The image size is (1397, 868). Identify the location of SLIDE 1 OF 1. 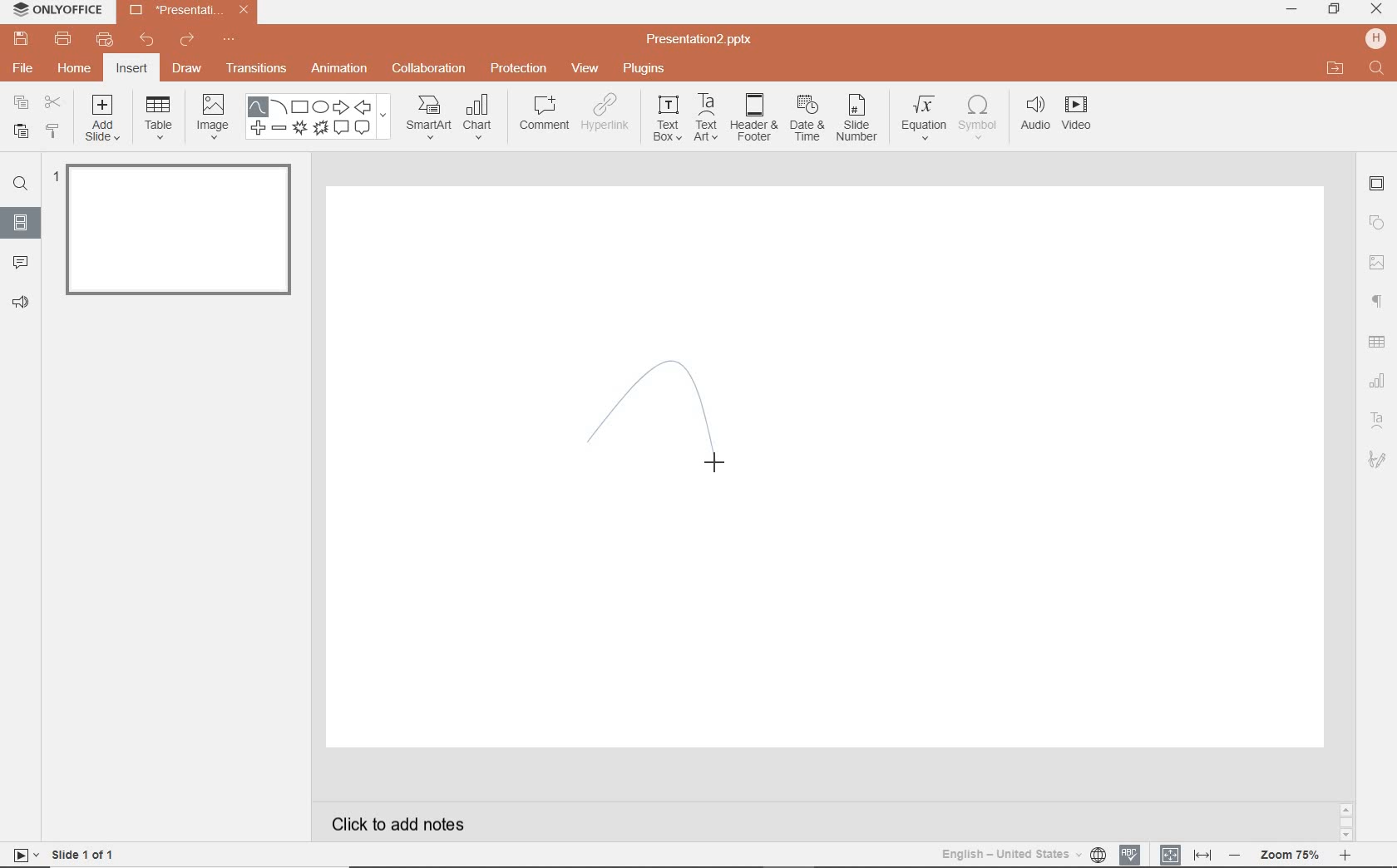
(67, 854).